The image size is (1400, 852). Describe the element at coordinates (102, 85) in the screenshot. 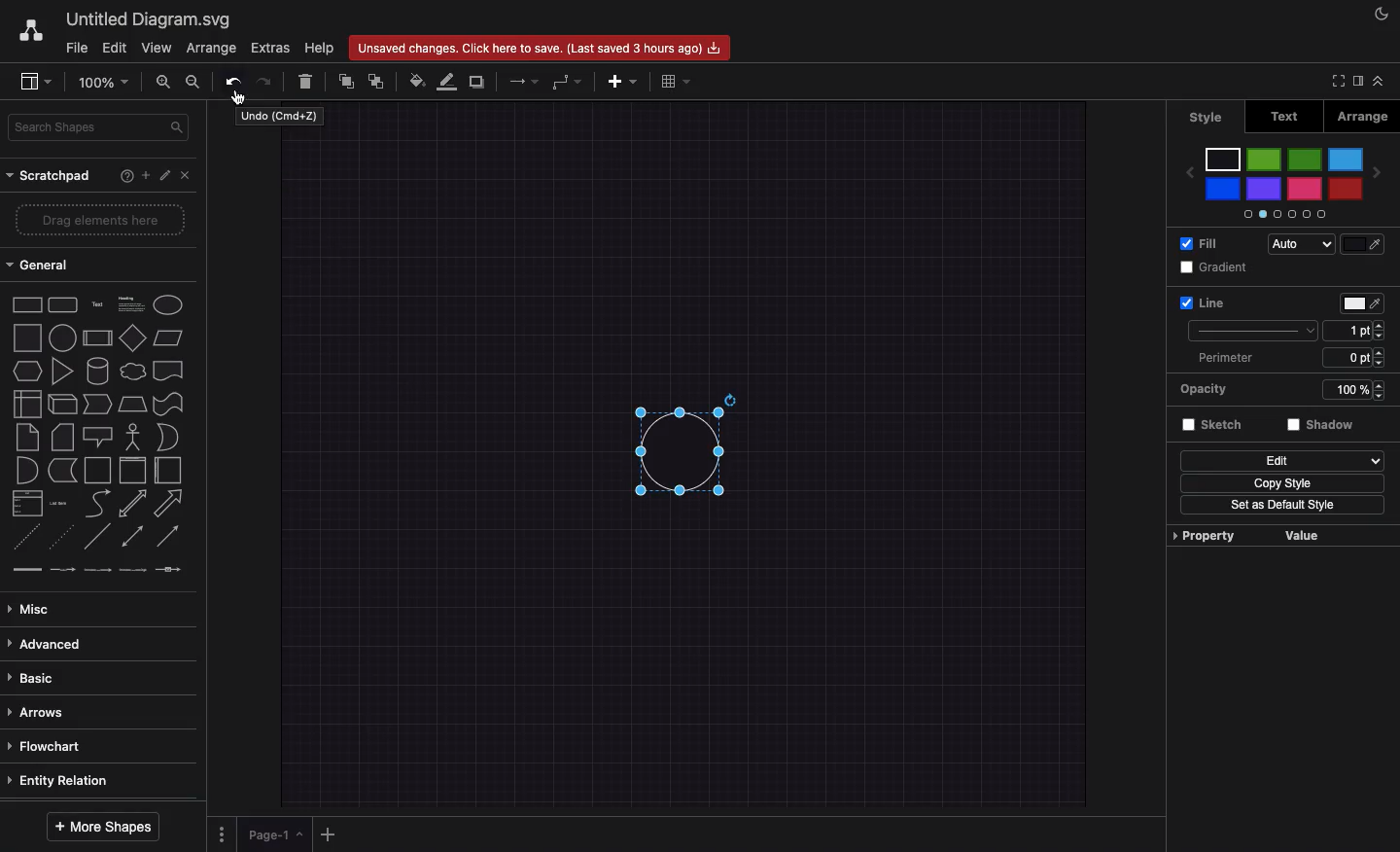

I see `Zoom` at that location.